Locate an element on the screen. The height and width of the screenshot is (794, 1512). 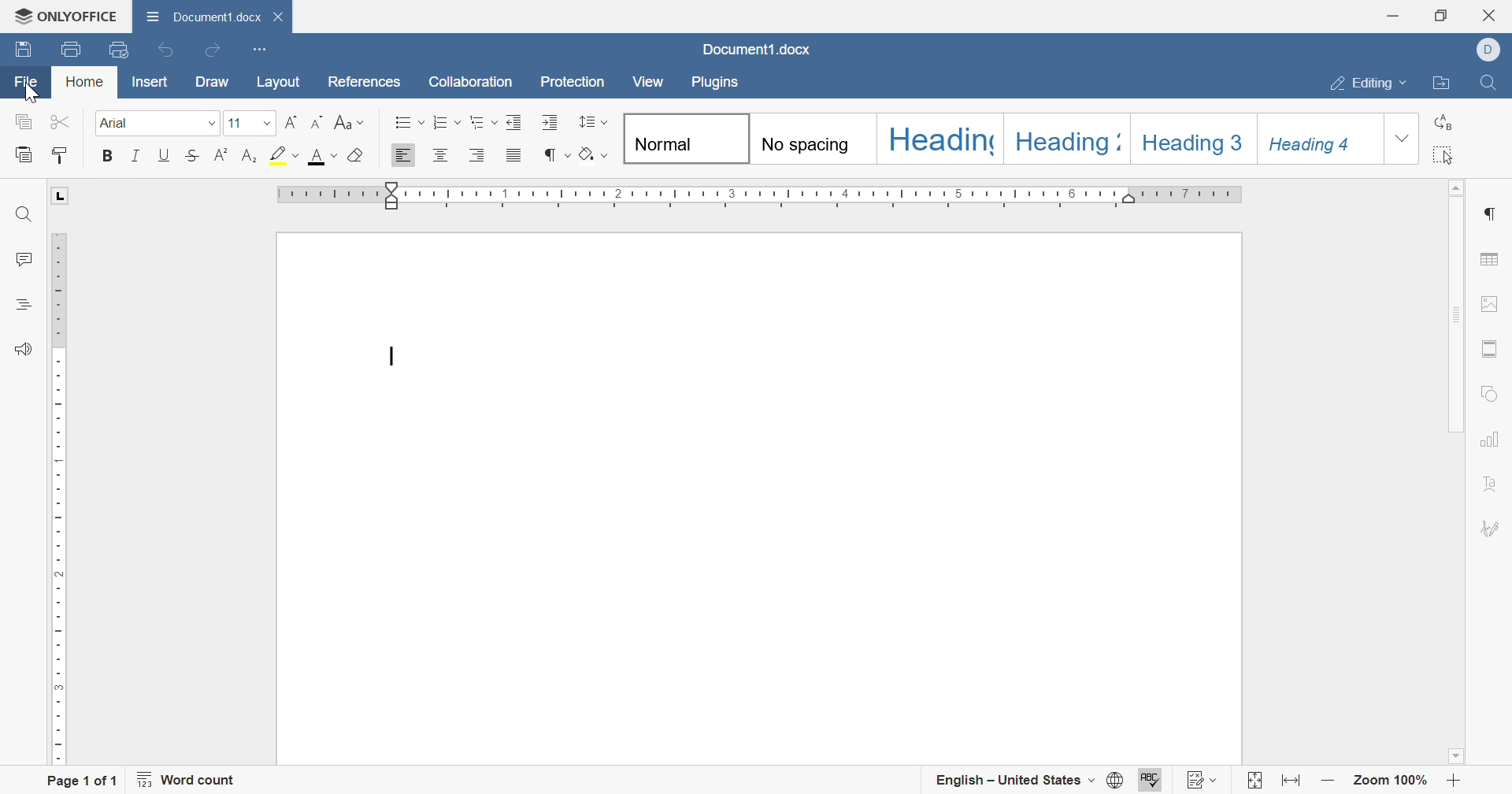
track changes is located at coordinates (1201, 781).